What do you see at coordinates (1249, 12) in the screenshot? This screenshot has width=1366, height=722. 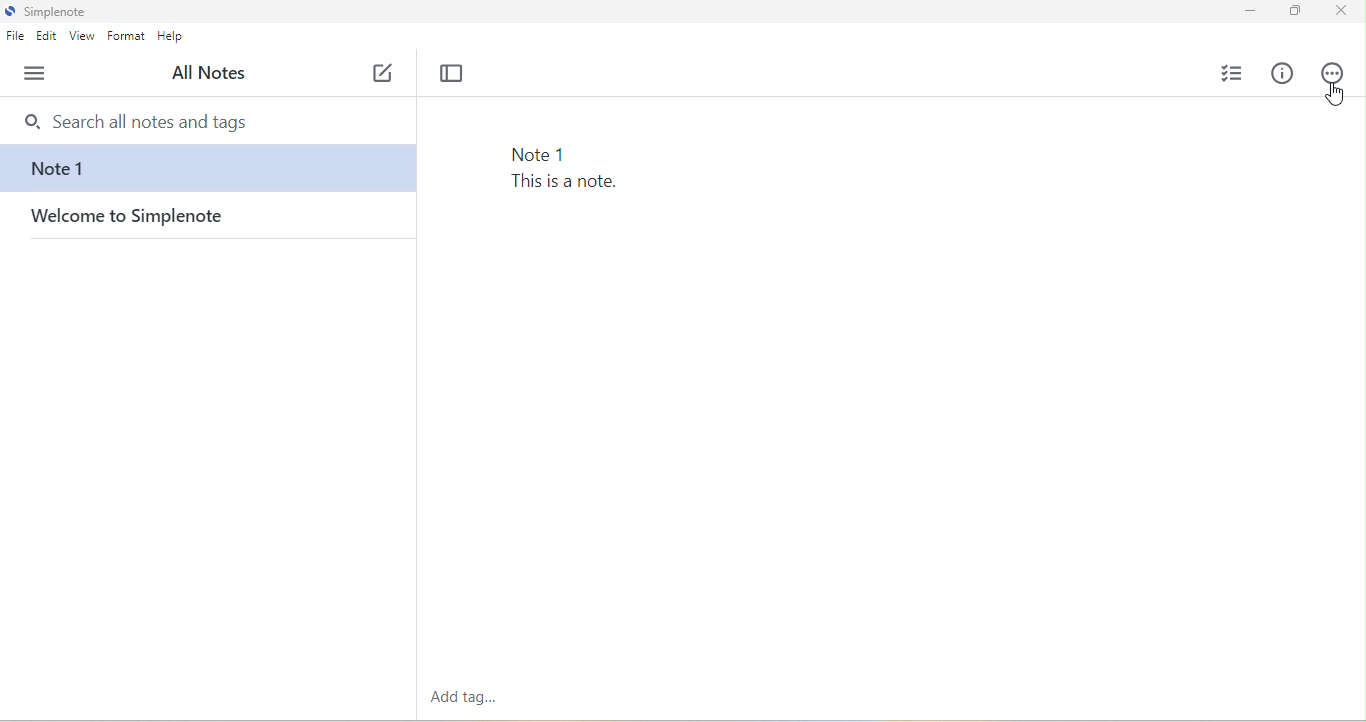 I see `minimize` at bounding box center [1249, 12].